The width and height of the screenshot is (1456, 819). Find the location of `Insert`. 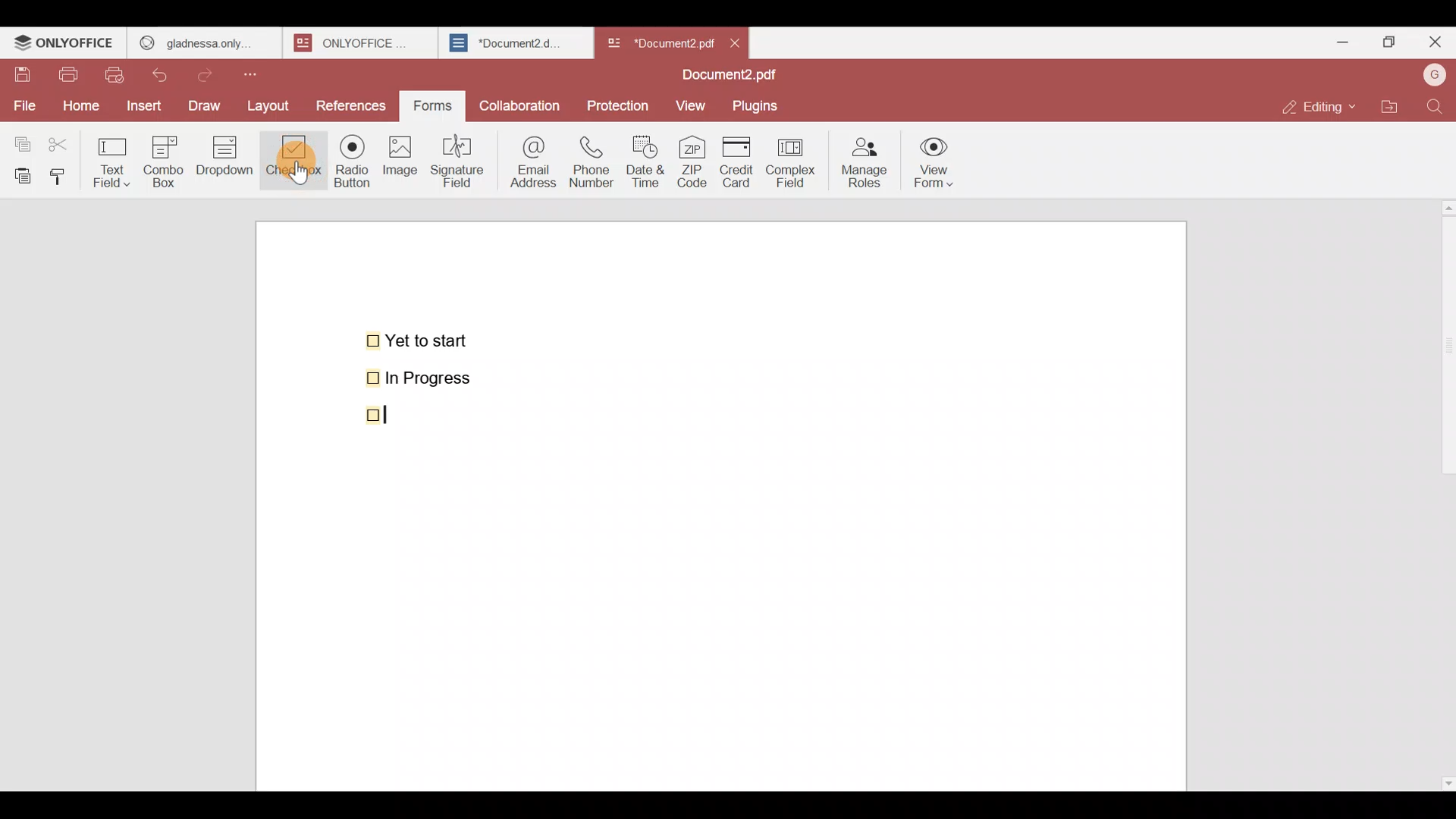

Insert is located at coordinates (142, 105).